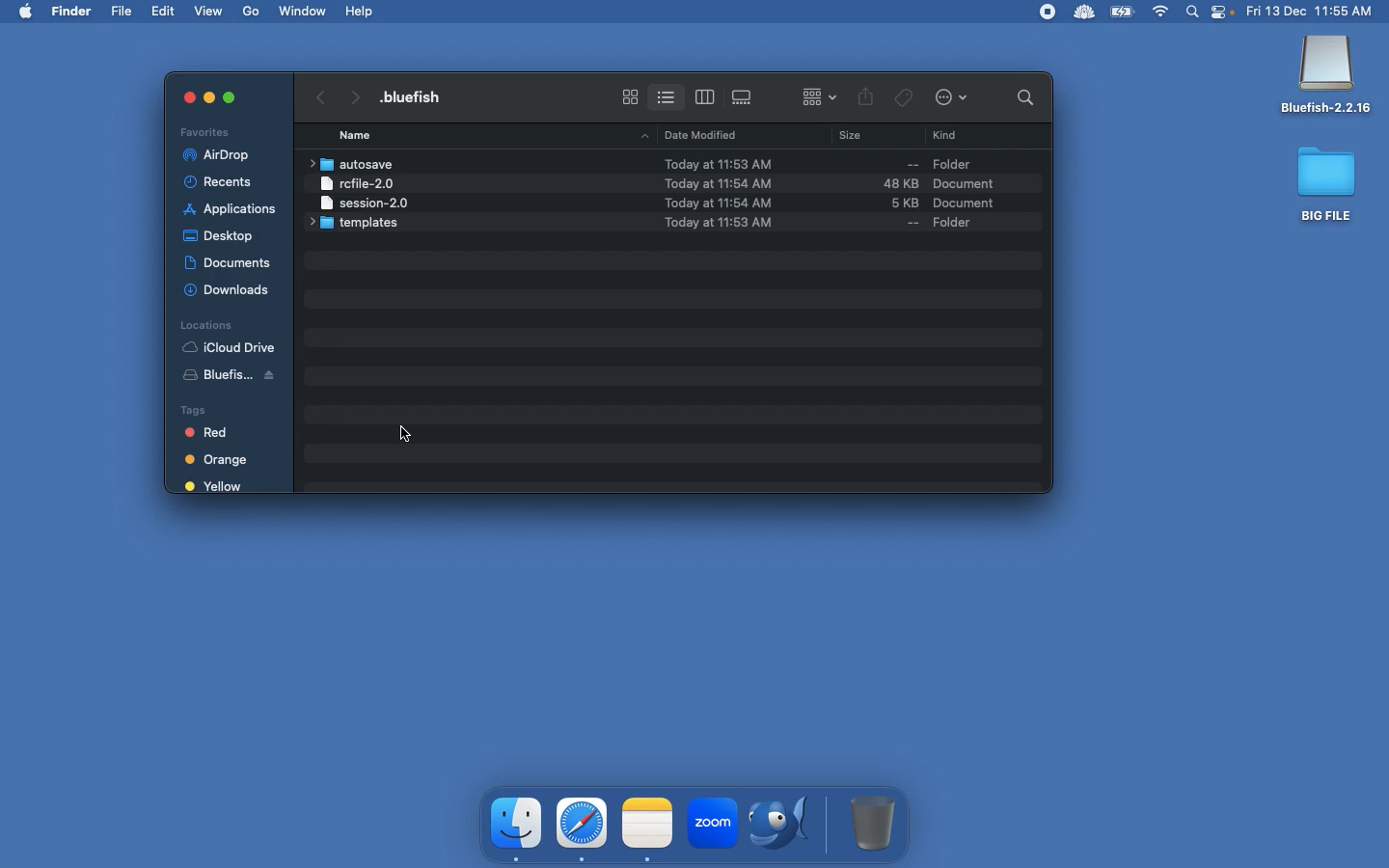  I want to click on go forward, so click(353, 94).